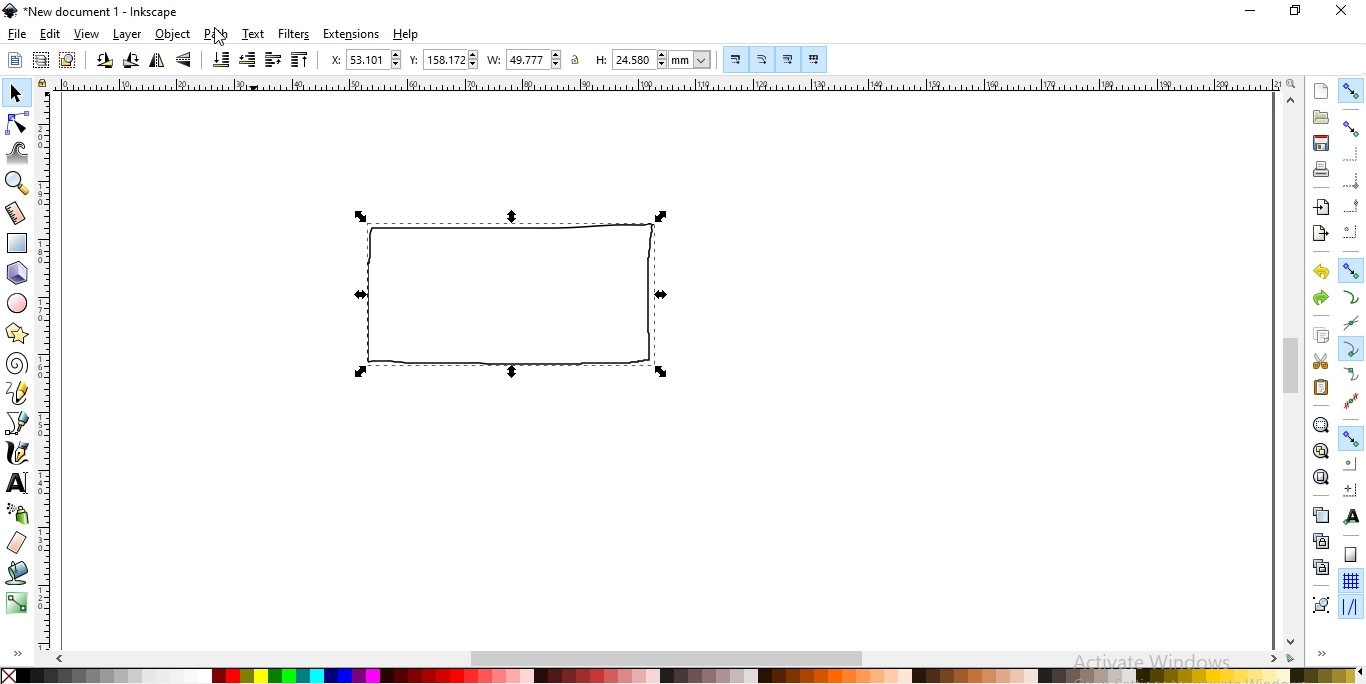 The image size is (1366, 684). I want to click on move patterns, so click(817, 59).